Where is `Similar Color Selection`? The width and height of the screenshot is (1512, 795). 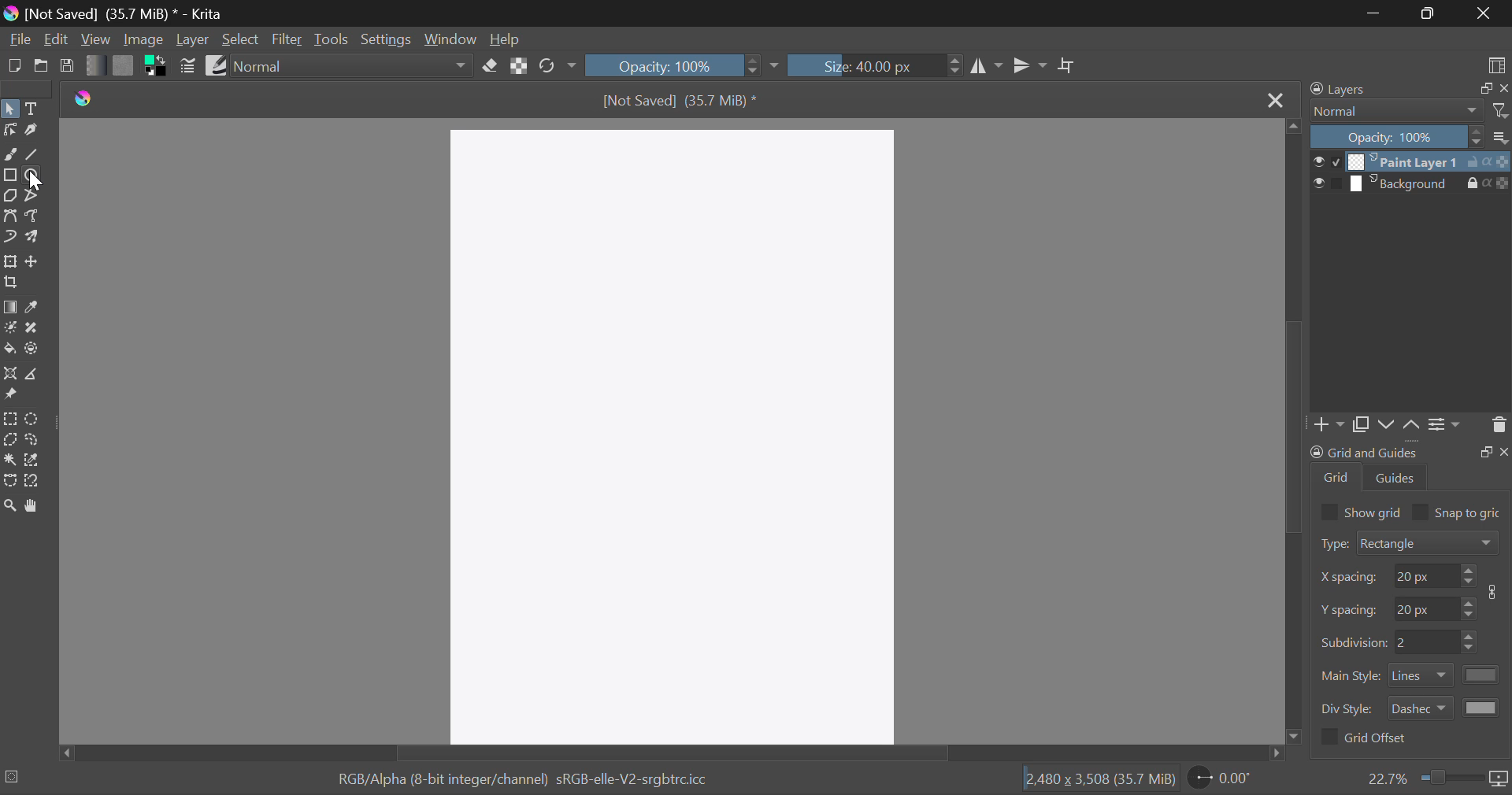
Similar Color Selection is located at coordinates (32, 461).